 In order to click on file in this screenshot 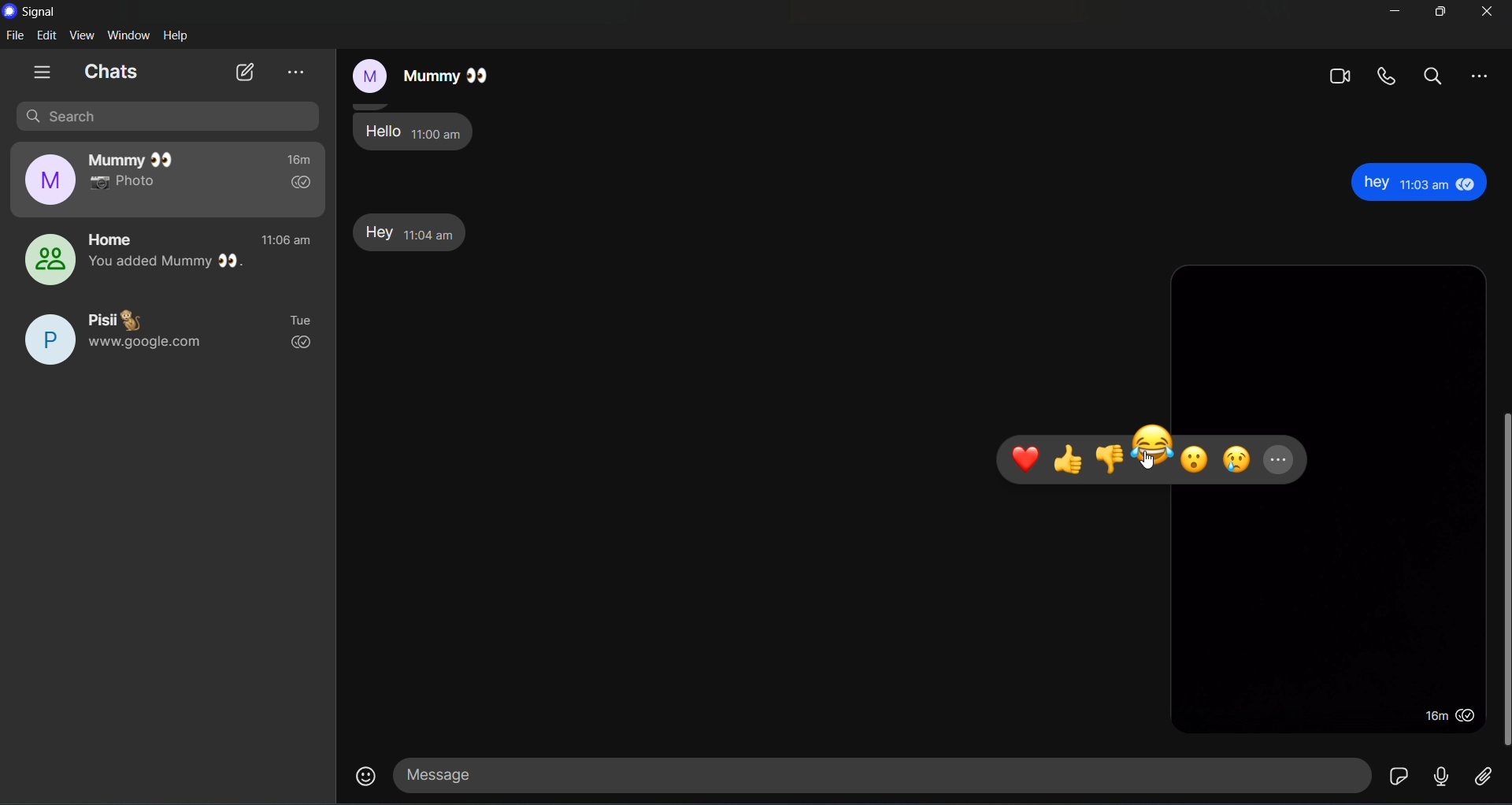, I will do `click(15, 36)`.